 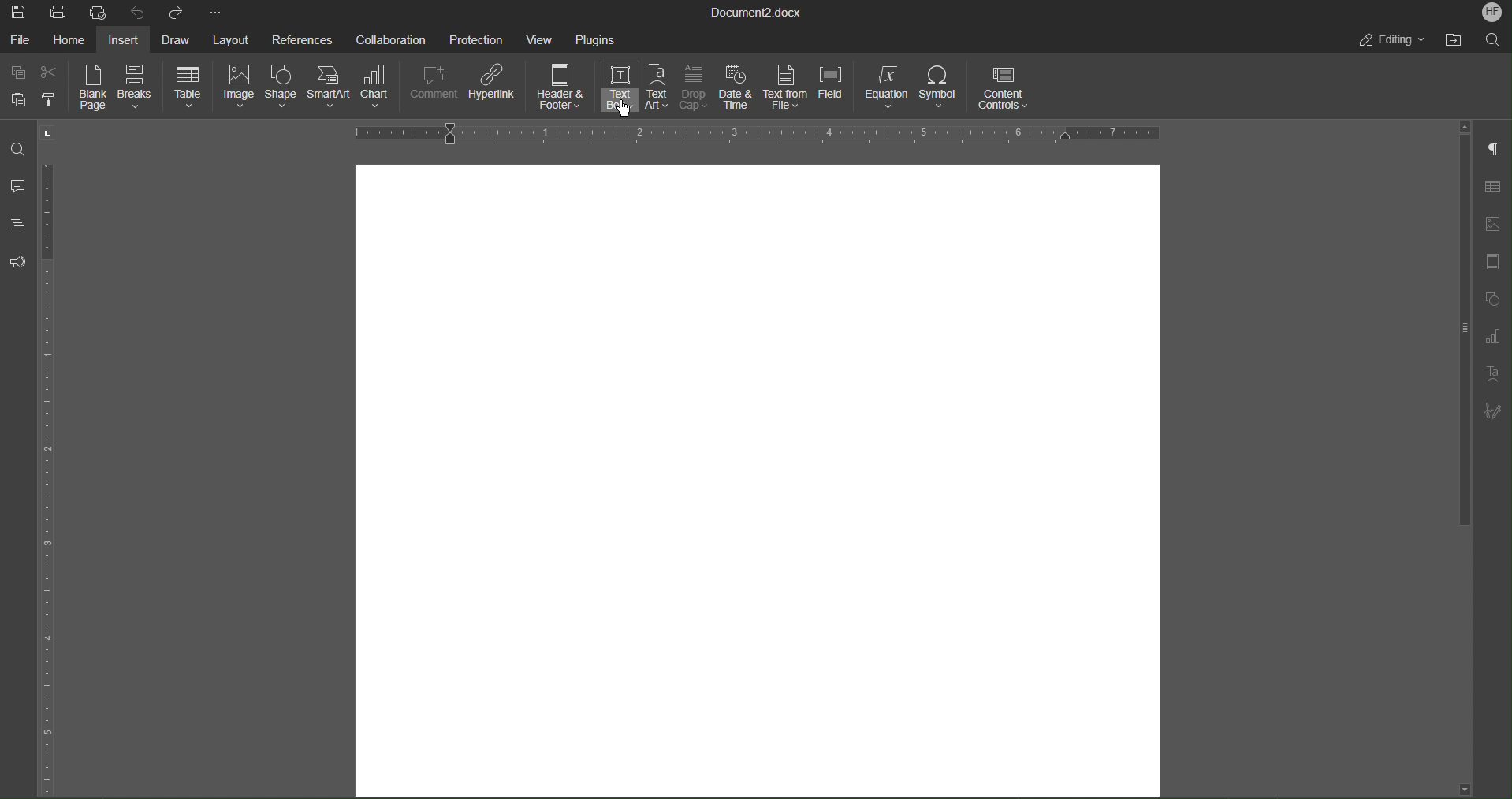 What do you see at coordinates (238, 89) in the screenshot?
I see `Image` at bounding box center [238, 89].